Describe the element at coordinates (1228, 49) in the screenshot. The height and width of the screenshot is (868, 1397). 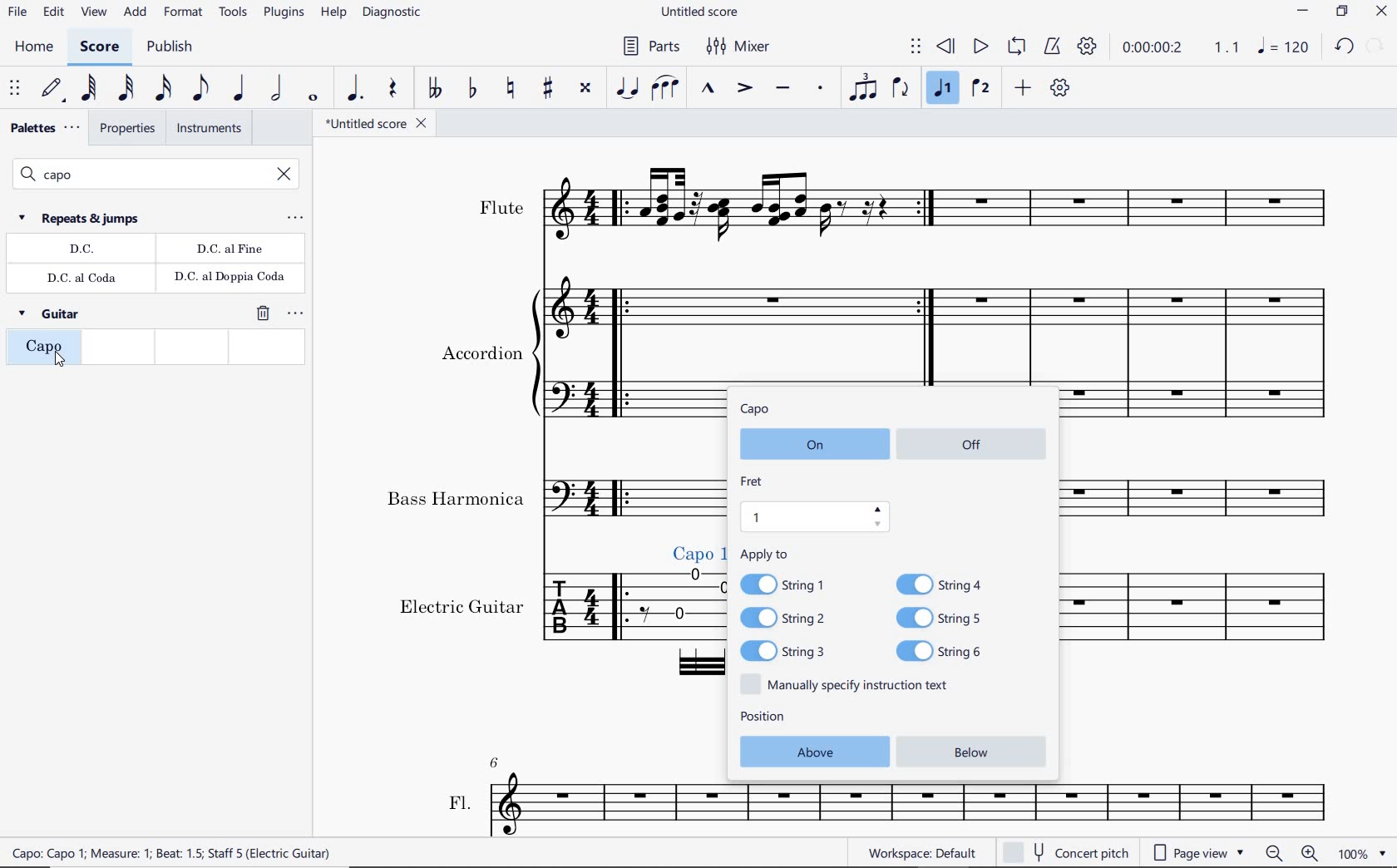
I see `Playback speed` at that location.